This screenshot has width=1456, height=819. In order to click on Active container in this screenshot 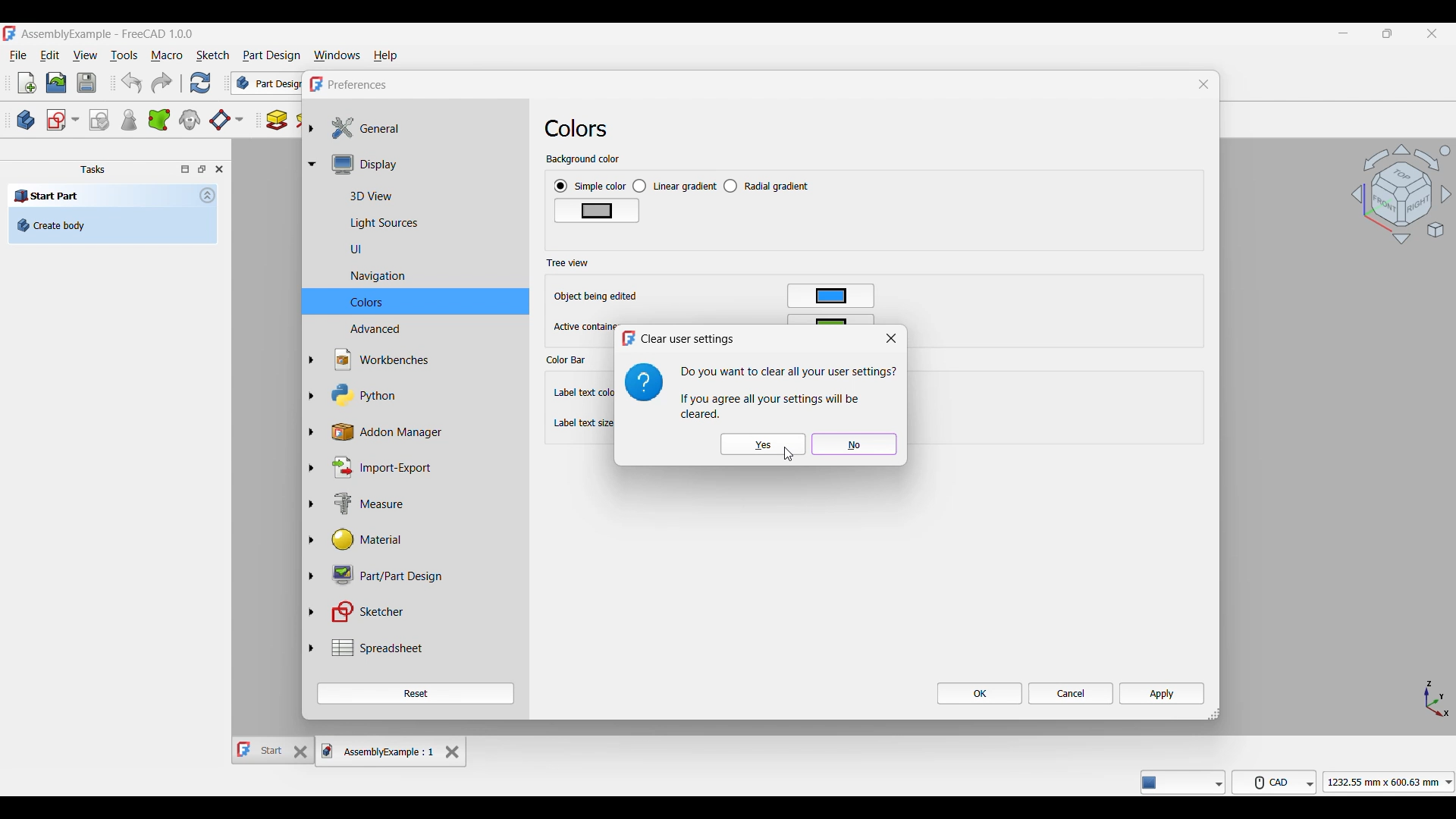, I will do `click(582, 327)`.